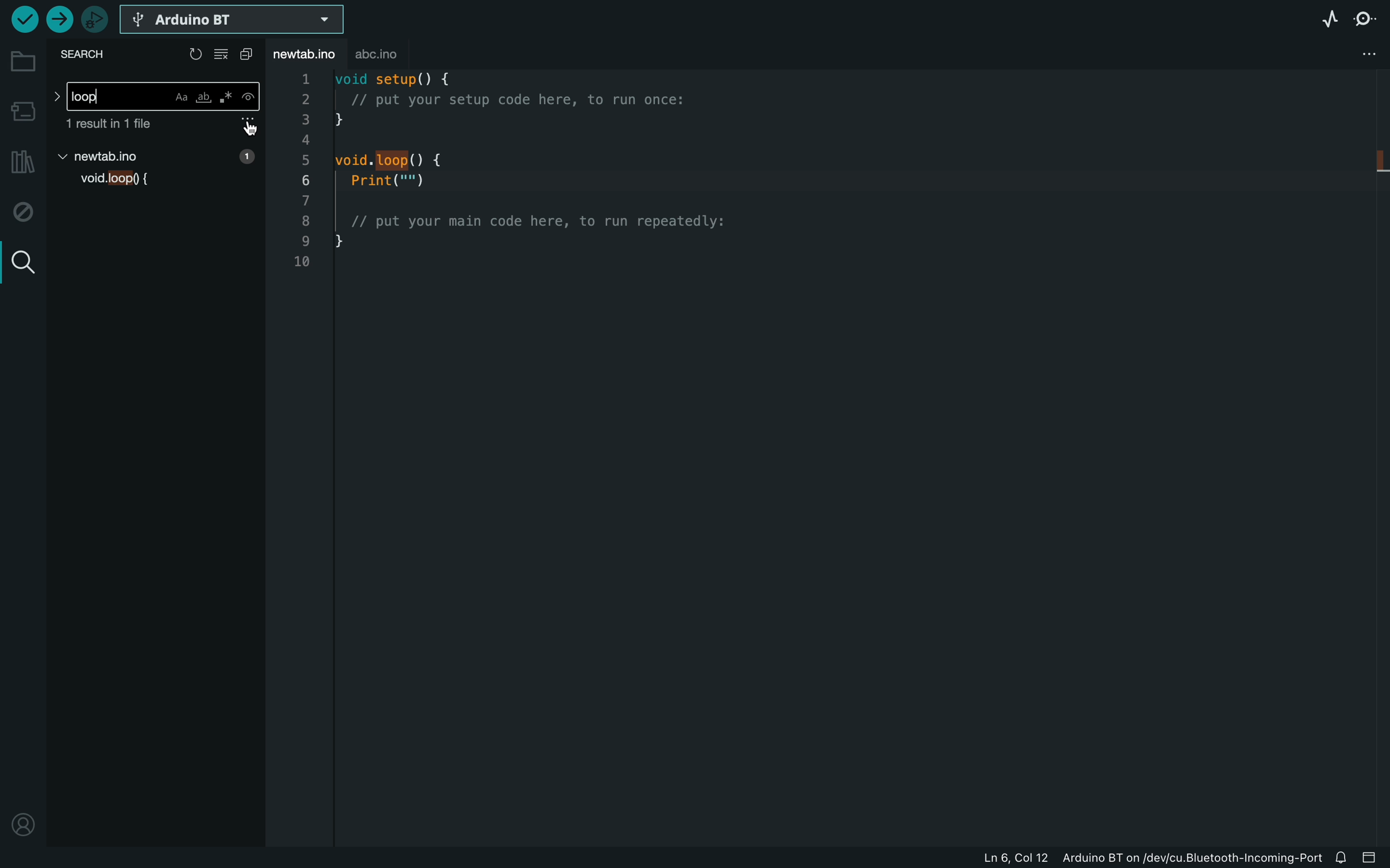  I want to click on board manager, so click(24, 111).